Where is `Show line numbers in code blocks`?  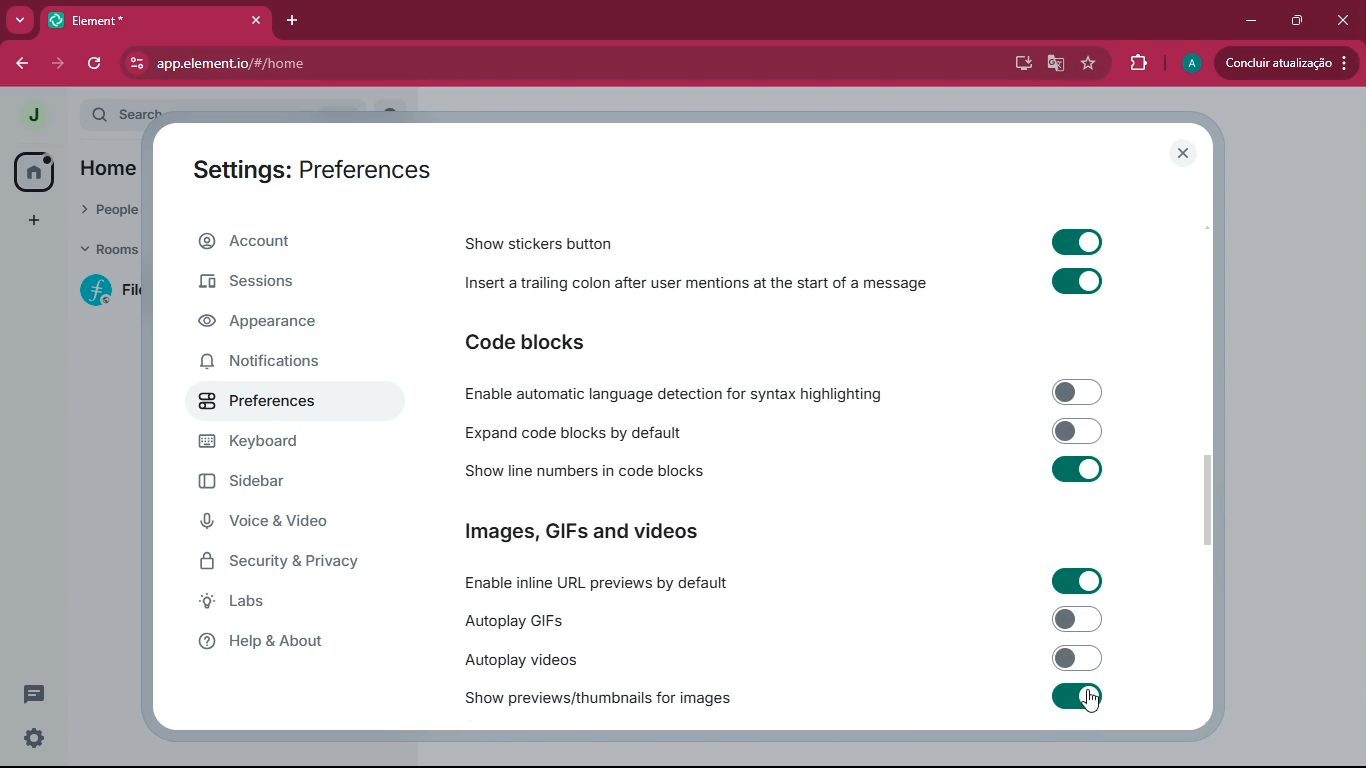
Show line numbers in code blocks is located at coordinates (586, 472).